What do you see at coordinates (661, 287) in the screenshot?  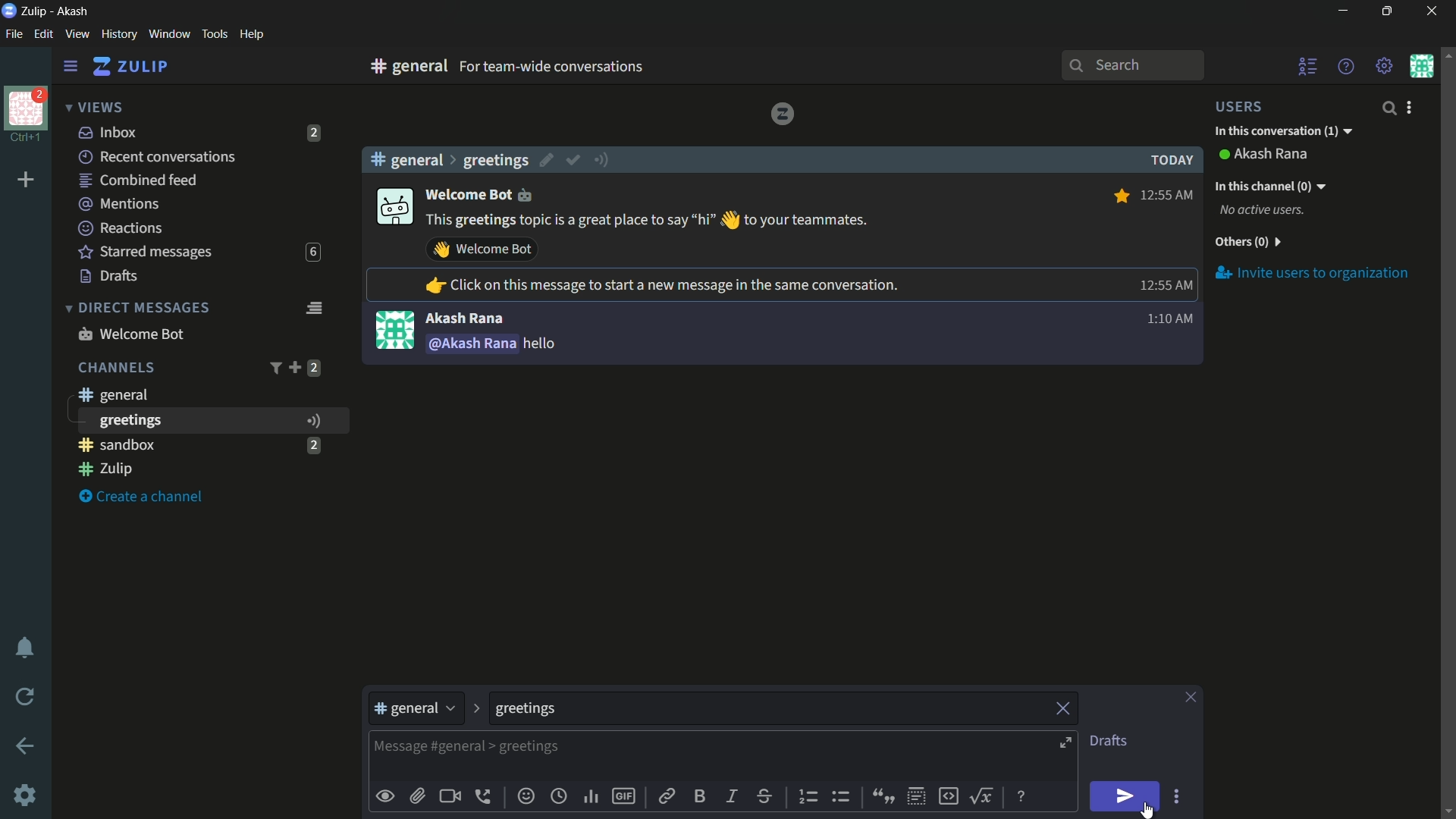 I see `Click on this message to start a new message in the same conversation` at bounding box center [661, 287].